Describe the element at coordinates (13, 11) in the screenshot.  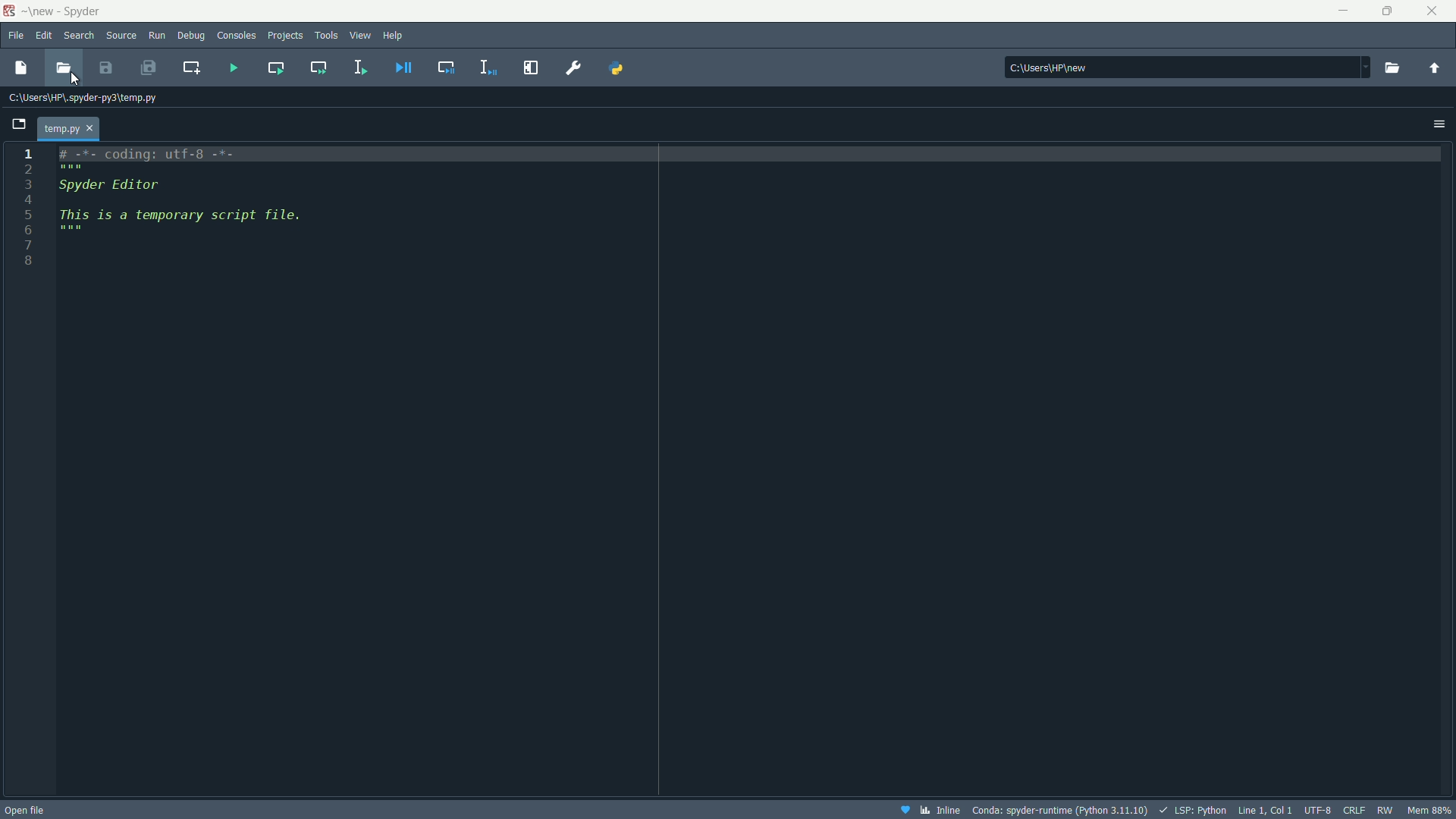
I see `App icon` at that location.